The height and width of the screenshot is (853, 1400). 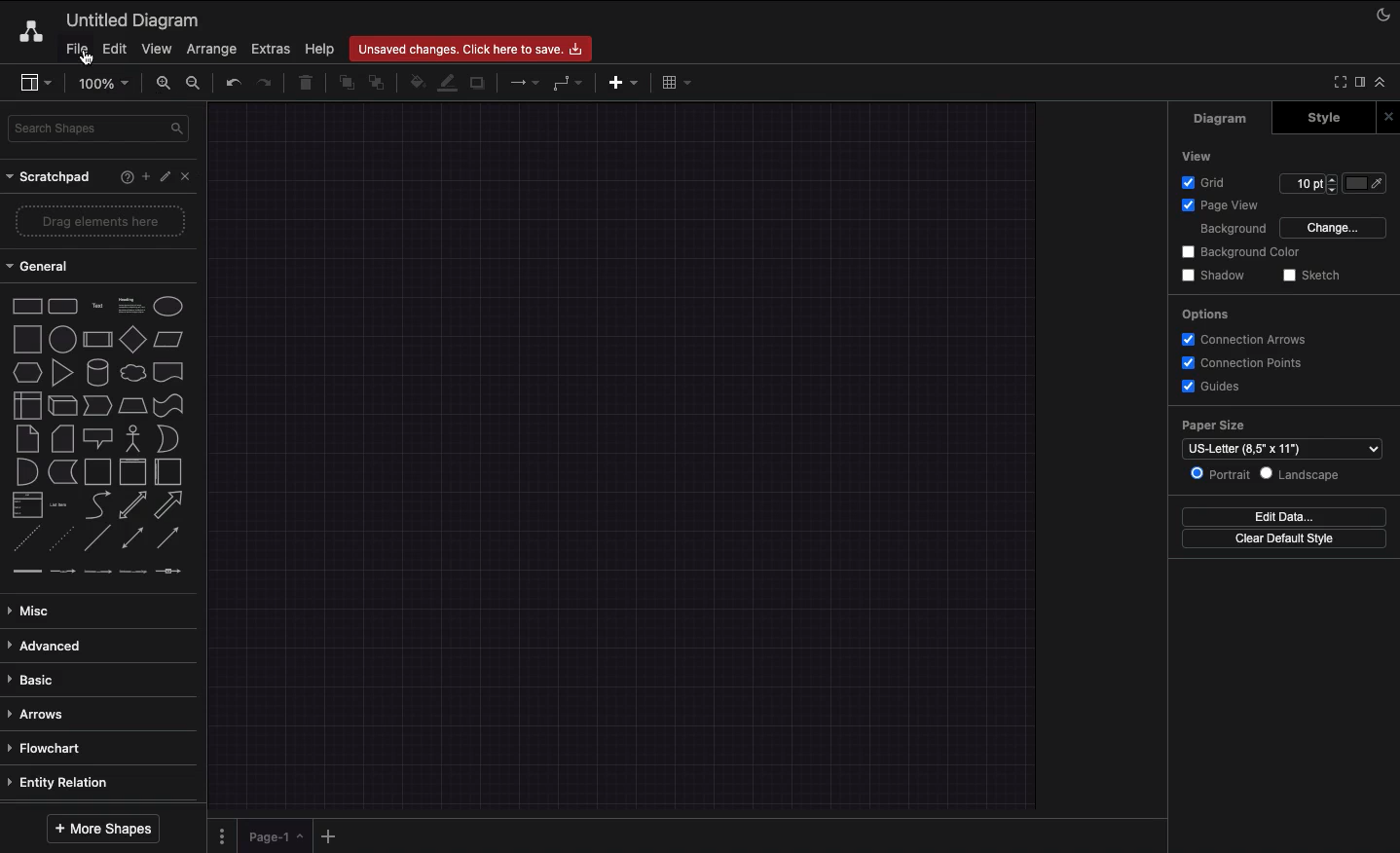 I want to click on Triangle, so click(x=62, y=372).